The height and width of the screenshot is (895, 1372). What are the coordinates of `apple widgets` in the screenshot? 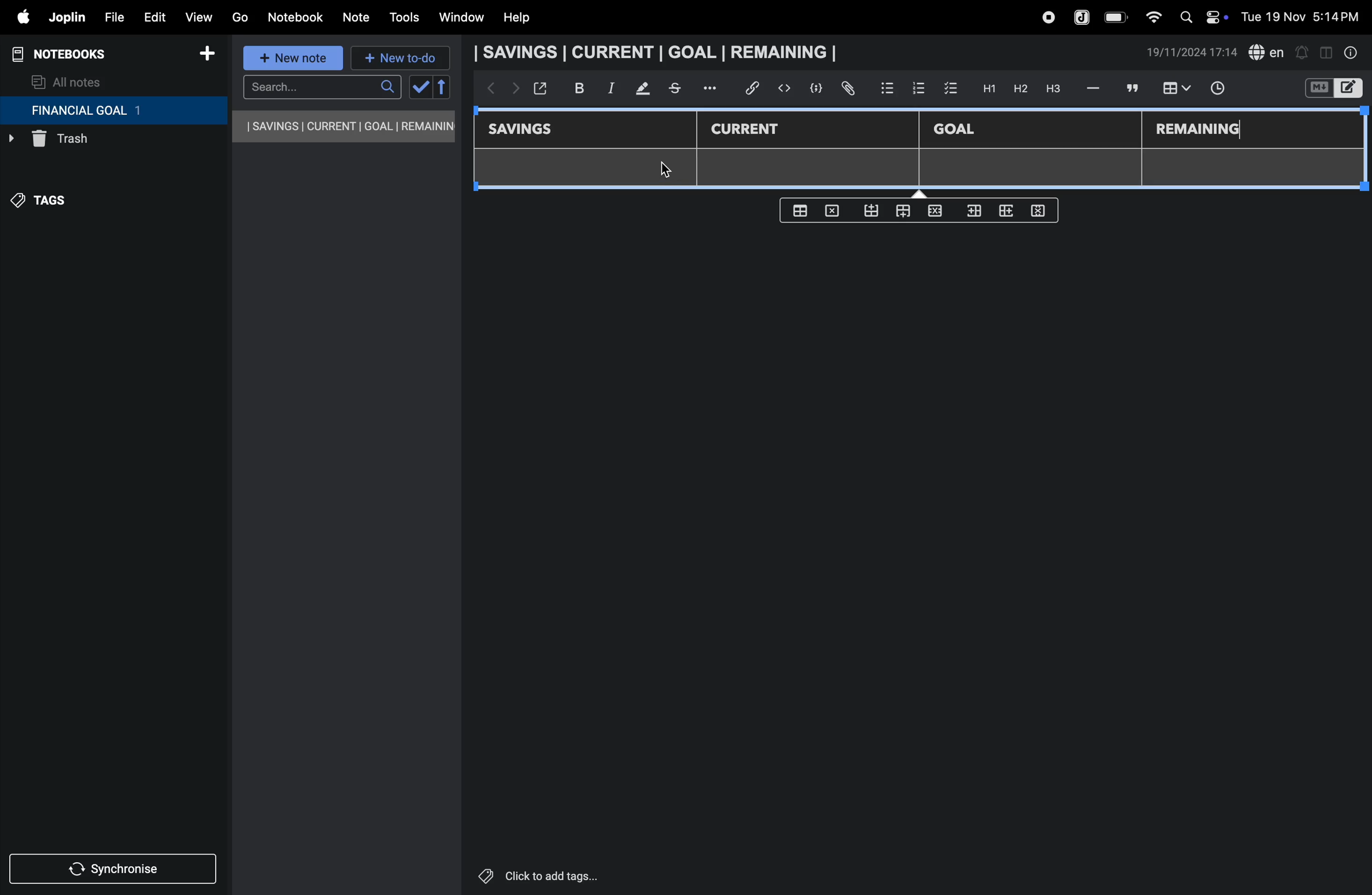 It's located at (1201, 16).